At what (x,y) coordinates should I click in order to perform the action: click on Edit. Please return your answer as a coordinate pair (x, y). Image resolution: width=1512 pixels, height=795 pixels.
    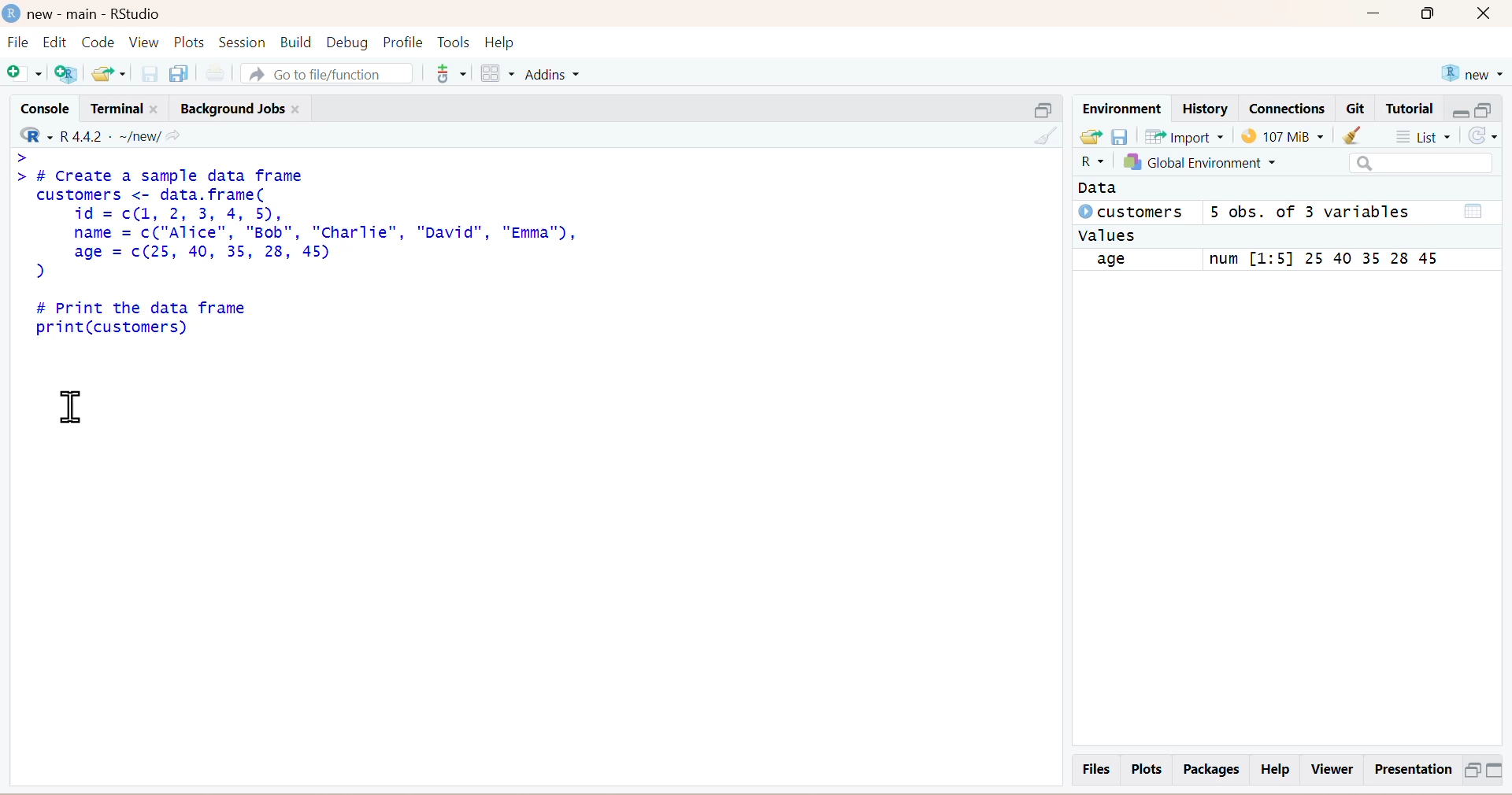
    Looking at the image, I should click on (57, 42).